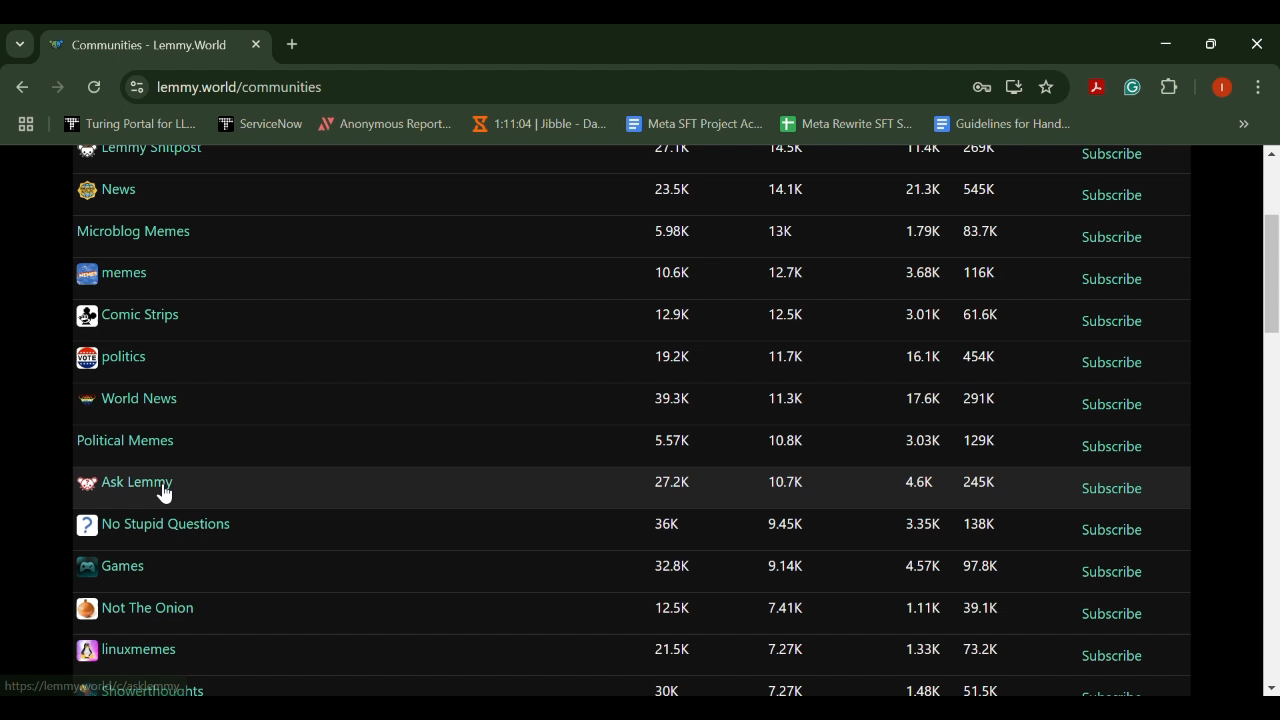 This screenshot has height=720, width=1280. Describe the element at coordinates (672, 398) in the screenshot. I see `39.3K` at that location.